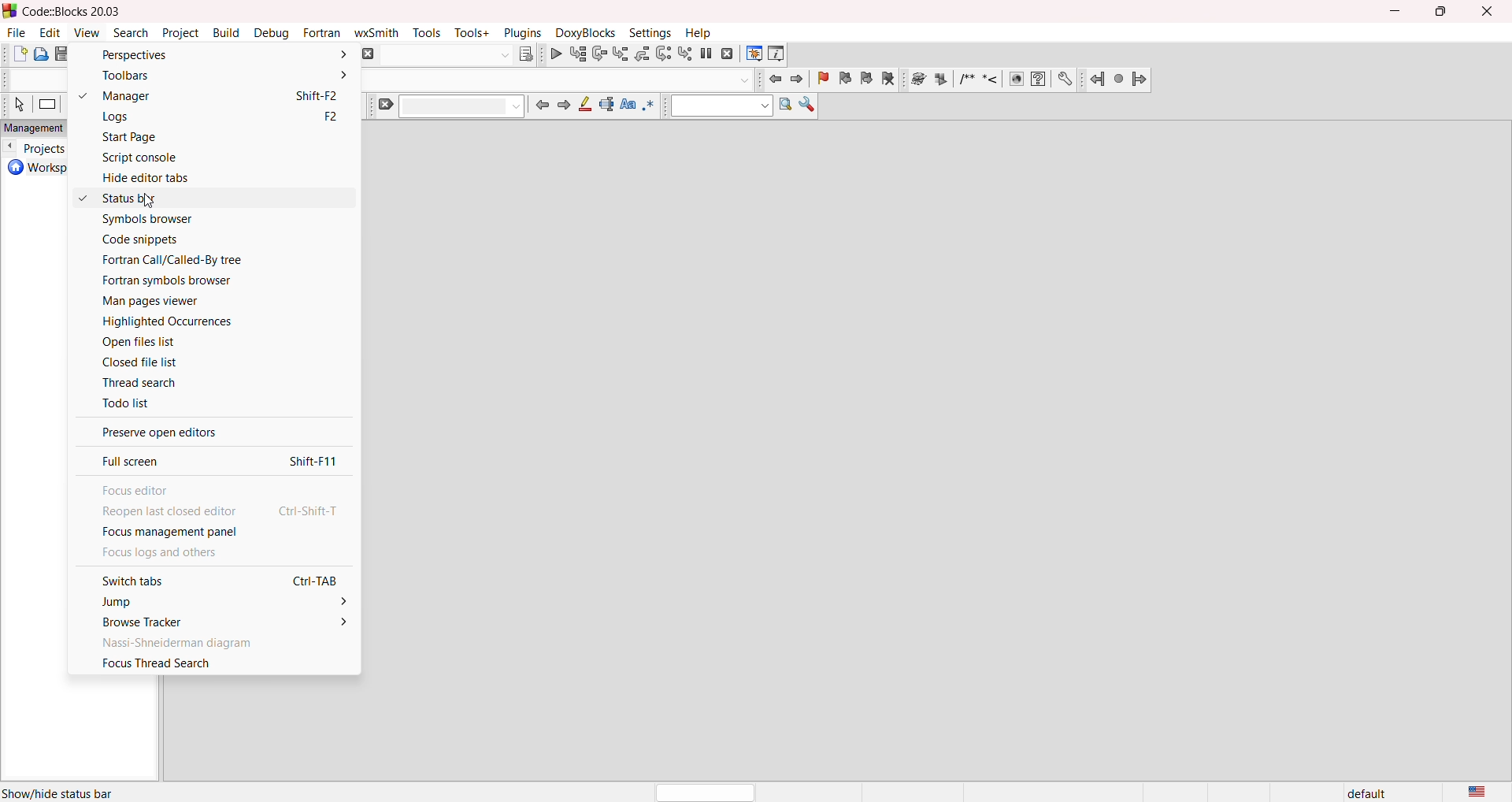 The height and width of the screenshot is (802, 1512). I want to click on show the select target dialog, so click(459, 55).